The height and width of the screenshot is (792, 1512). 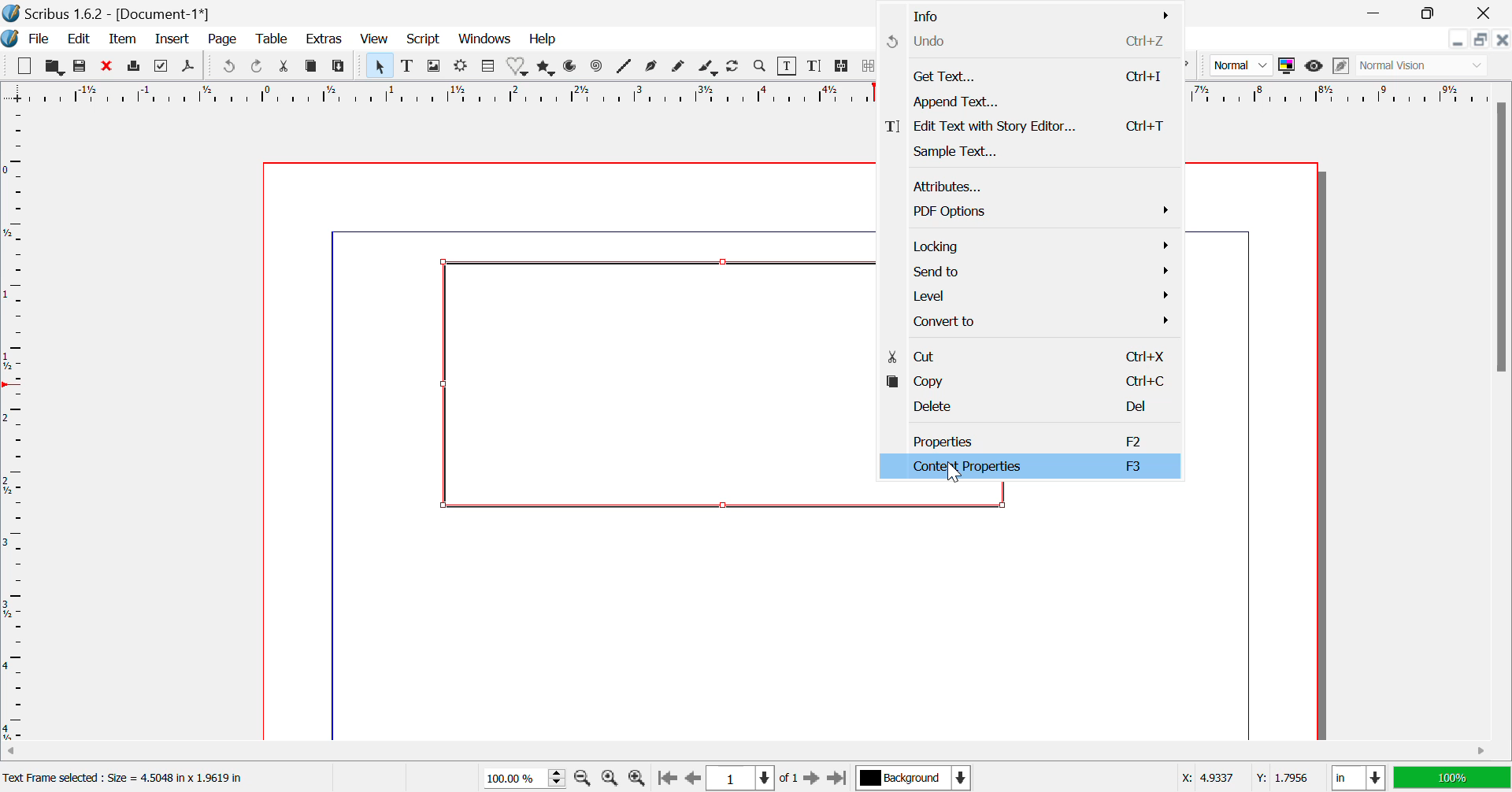 What do you see at coordinates (1031, 298) in the screenshot?
I see `Level` at bounding box center [1031, 298].